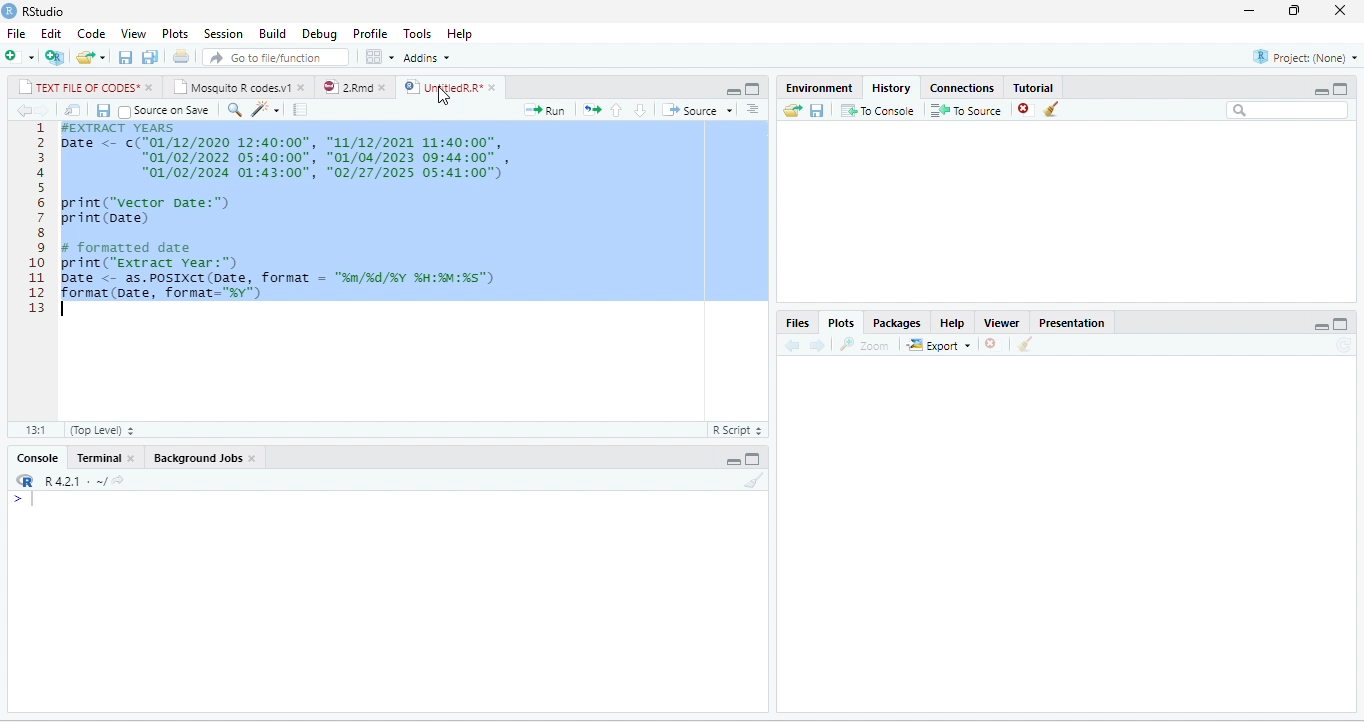  Describe the element at coordinates (1026, 109) in the screenshot. I see `close file` at that location.